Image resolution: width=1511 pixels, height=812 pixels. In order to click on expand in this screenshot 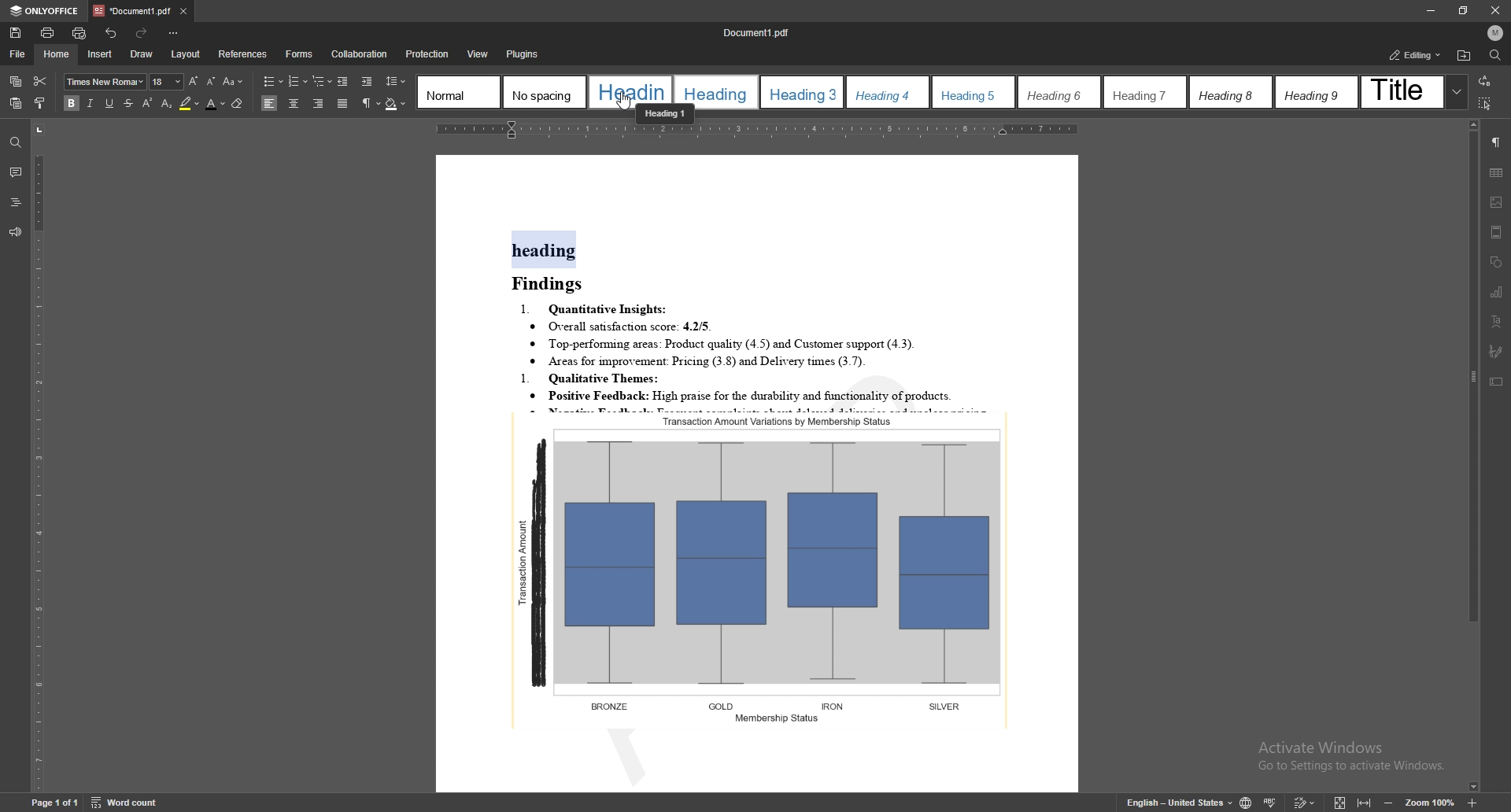, I will do `click(1456, 91)`.